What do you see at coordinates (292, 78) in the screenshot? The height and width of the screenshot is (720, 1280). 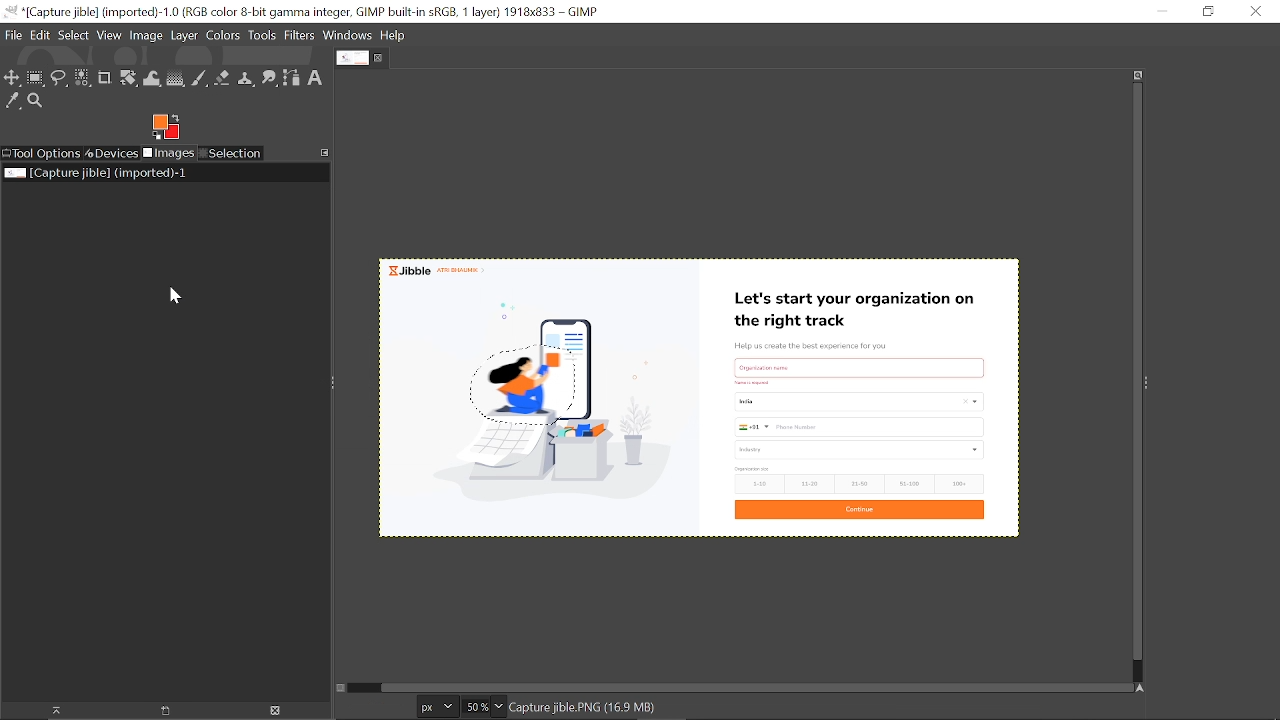 I see `Path tool` at bounding box center [292, 78].